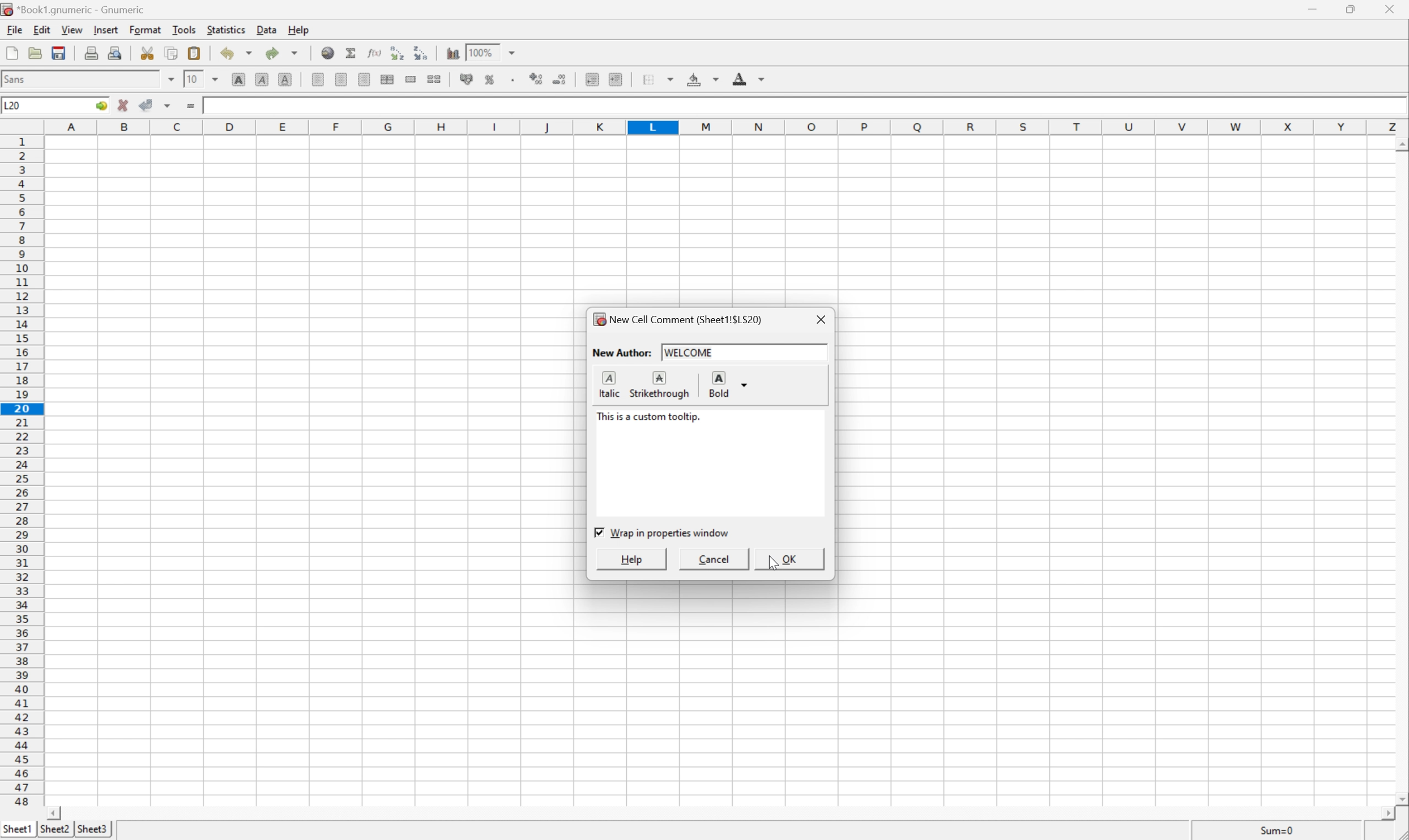  Describe the element at coordinates (746, 384) in the screenshot. I see `Drop Down` at that location.